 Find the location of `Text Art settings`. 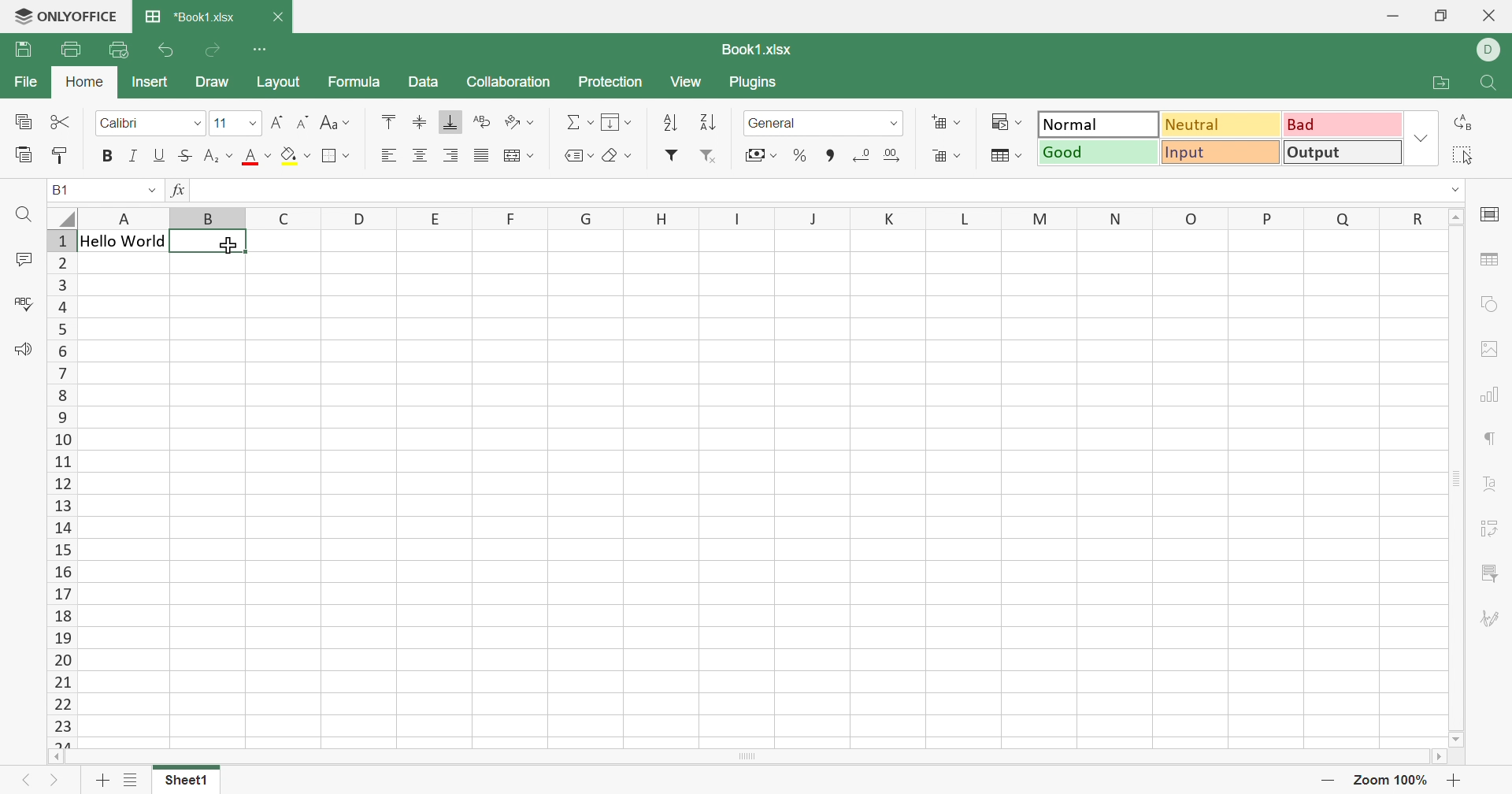

Text Art settings is located at coordinates (1487, 488).